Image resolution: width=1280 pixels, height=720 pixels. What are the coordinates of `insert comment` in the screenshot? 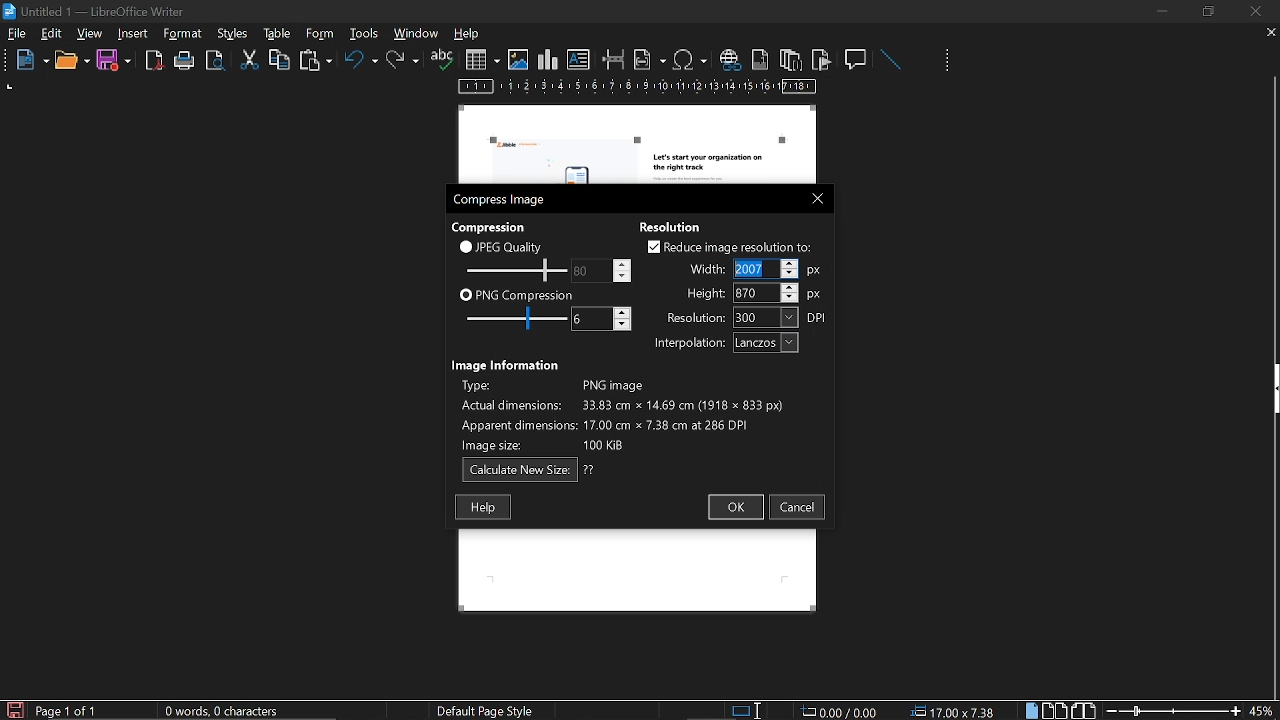 It's located at (857, 58).